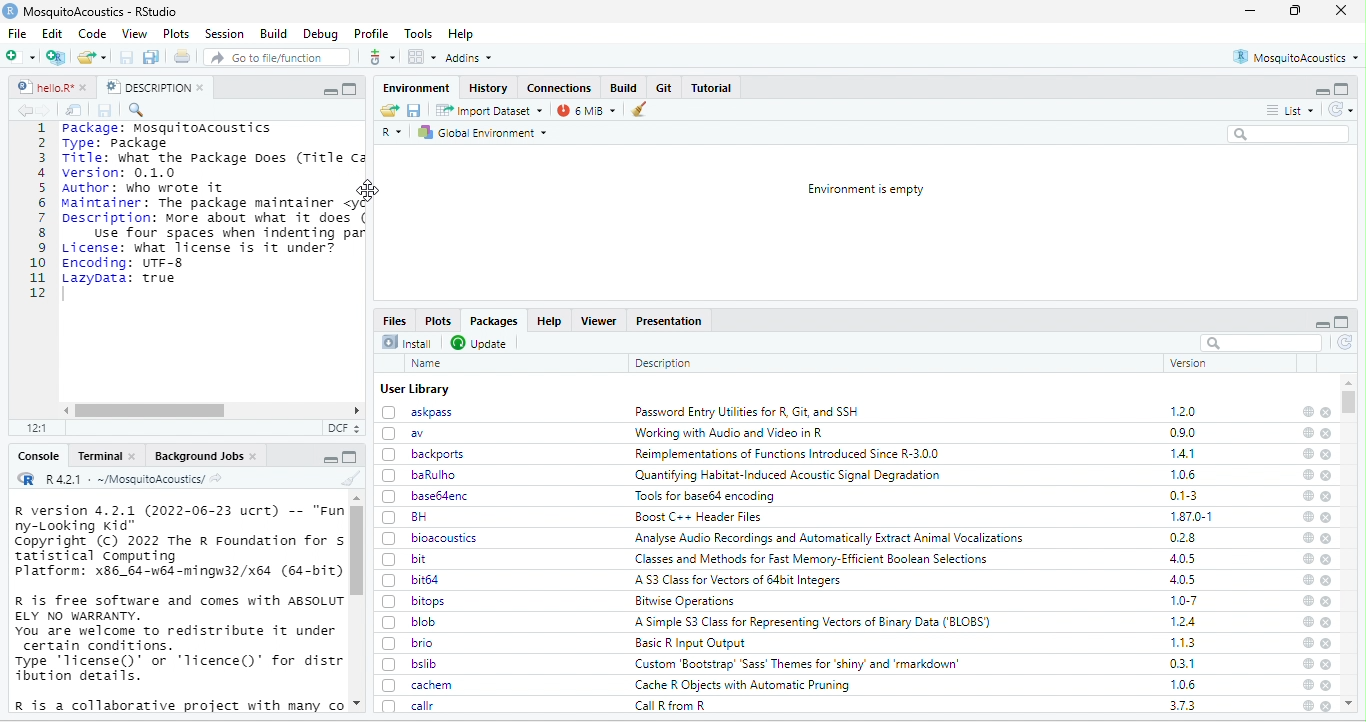 The height and width of the screenshot is (722, 1366). Describe the element at coordinates (410, 341) in the screenshot. I see `Install` at that location.